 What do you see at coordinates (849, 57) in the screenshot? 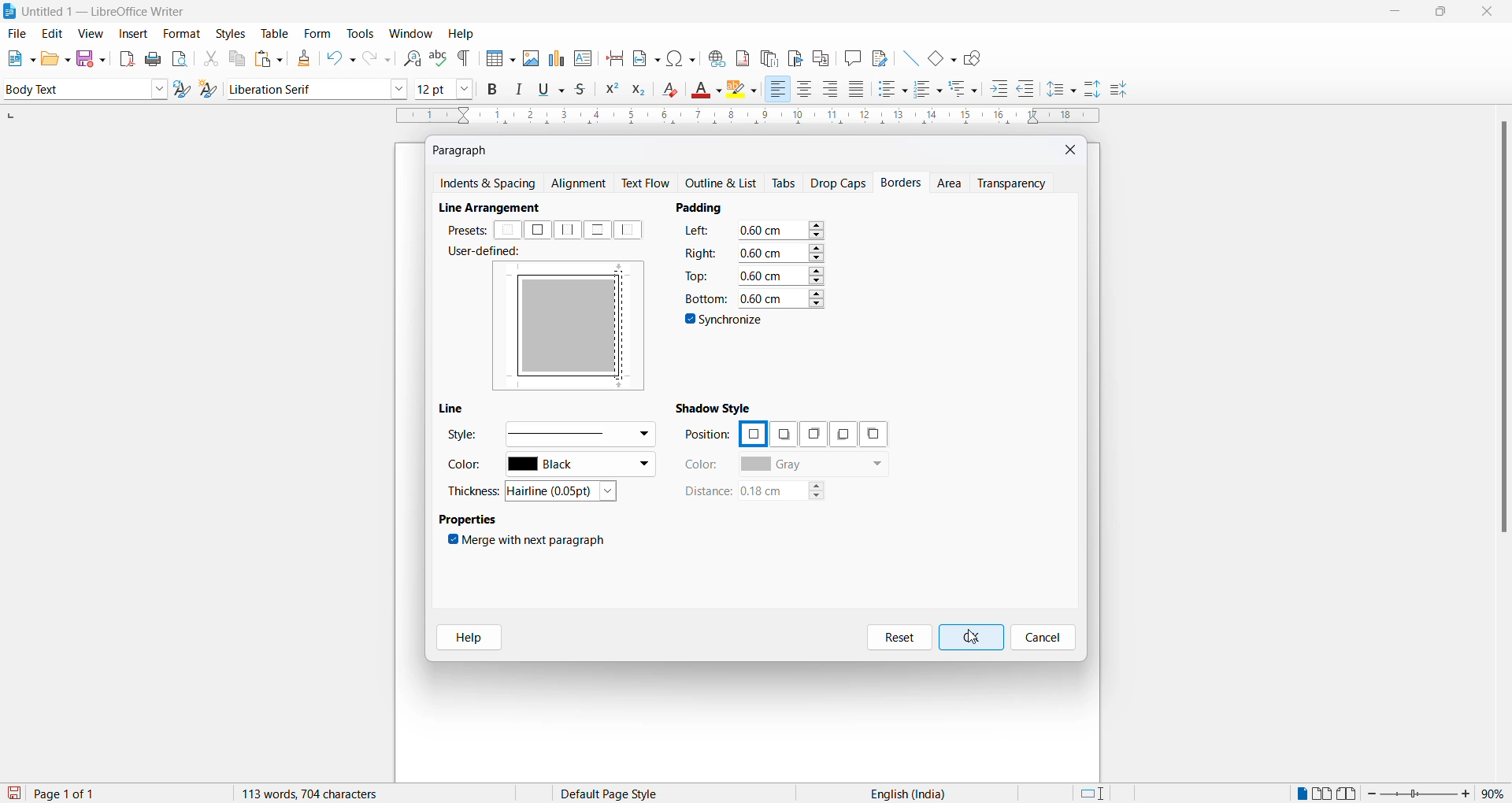
I see `insert comments` at bounding box center [849, 57].